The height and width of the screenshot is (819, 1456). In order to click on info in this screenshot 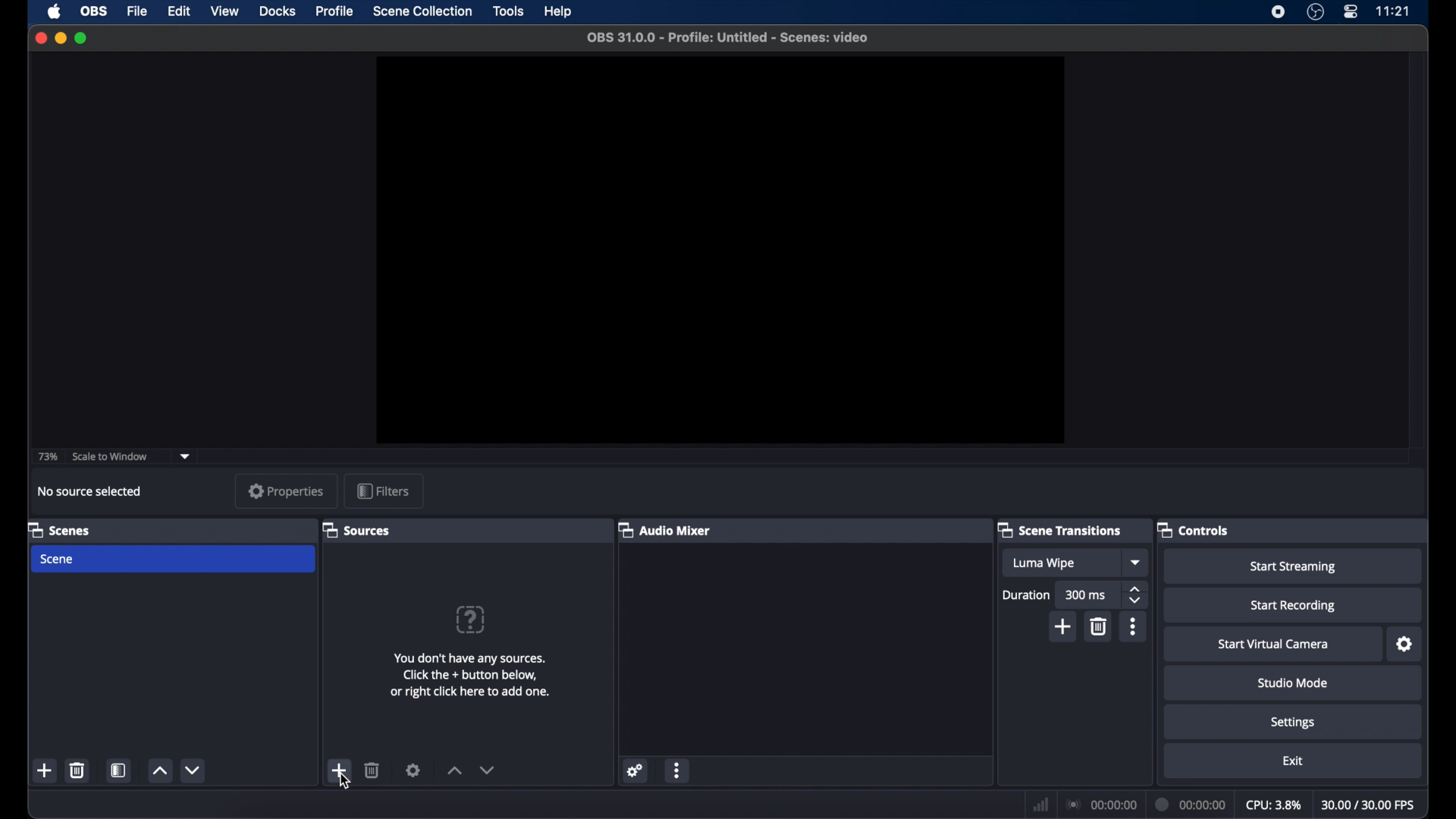, I will do `click(469, 675)`.